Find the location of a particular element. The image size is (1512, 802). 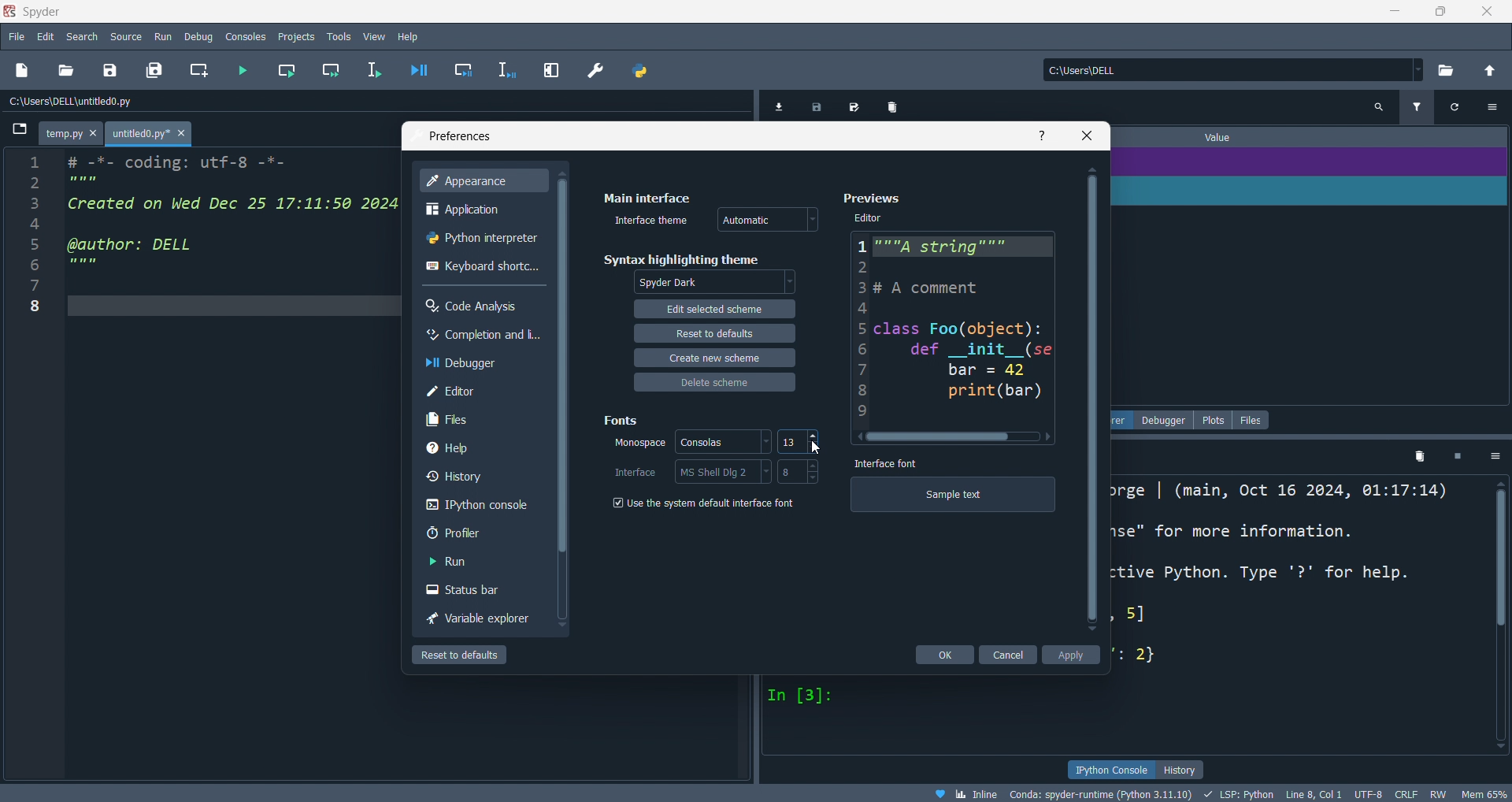

delete scheme is located at coordinates (712, 381).